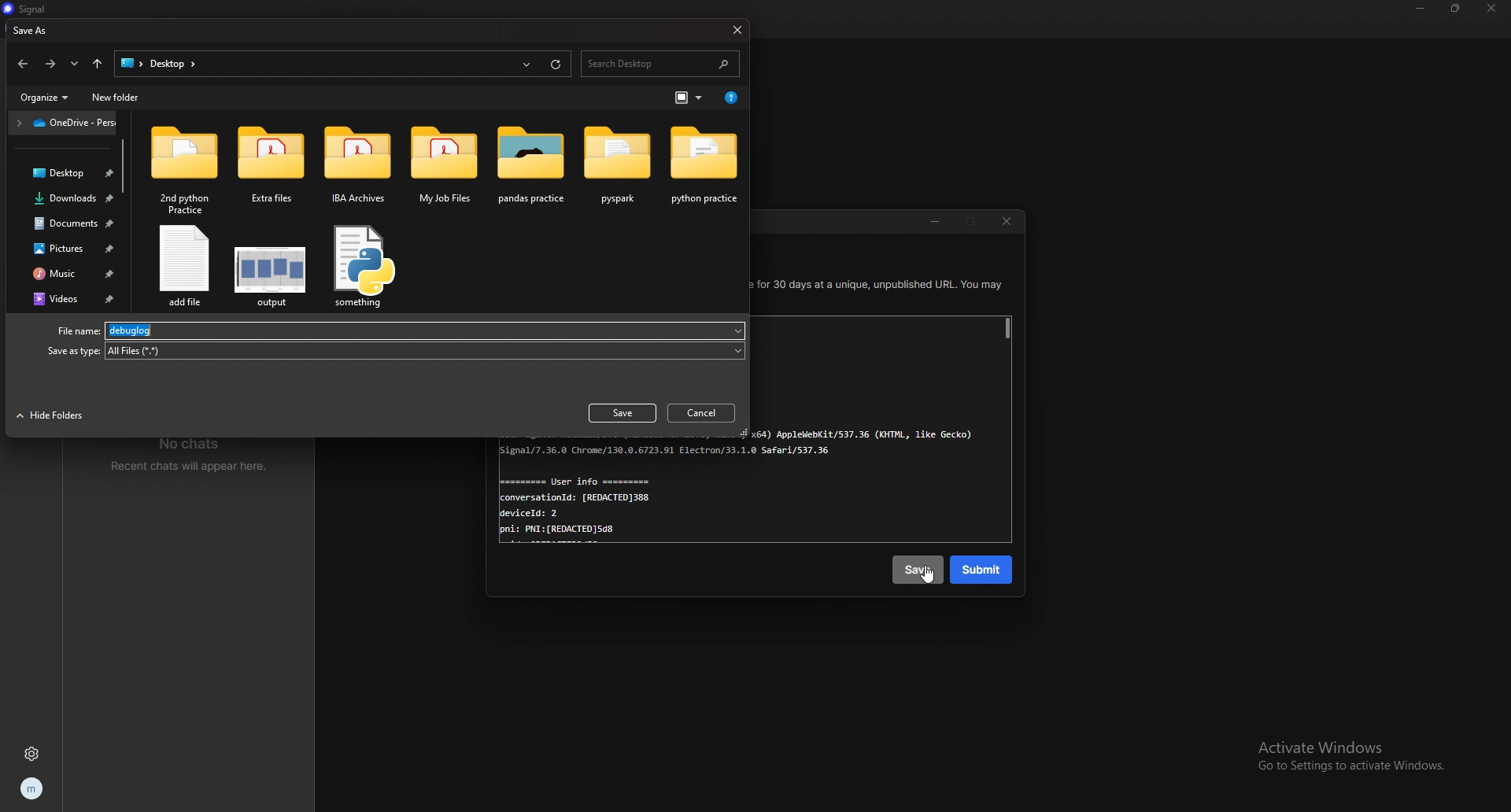 Image resolution: width=1511 pixels, height=812 pixels. I want to click on search desktop, so click(659, 64).